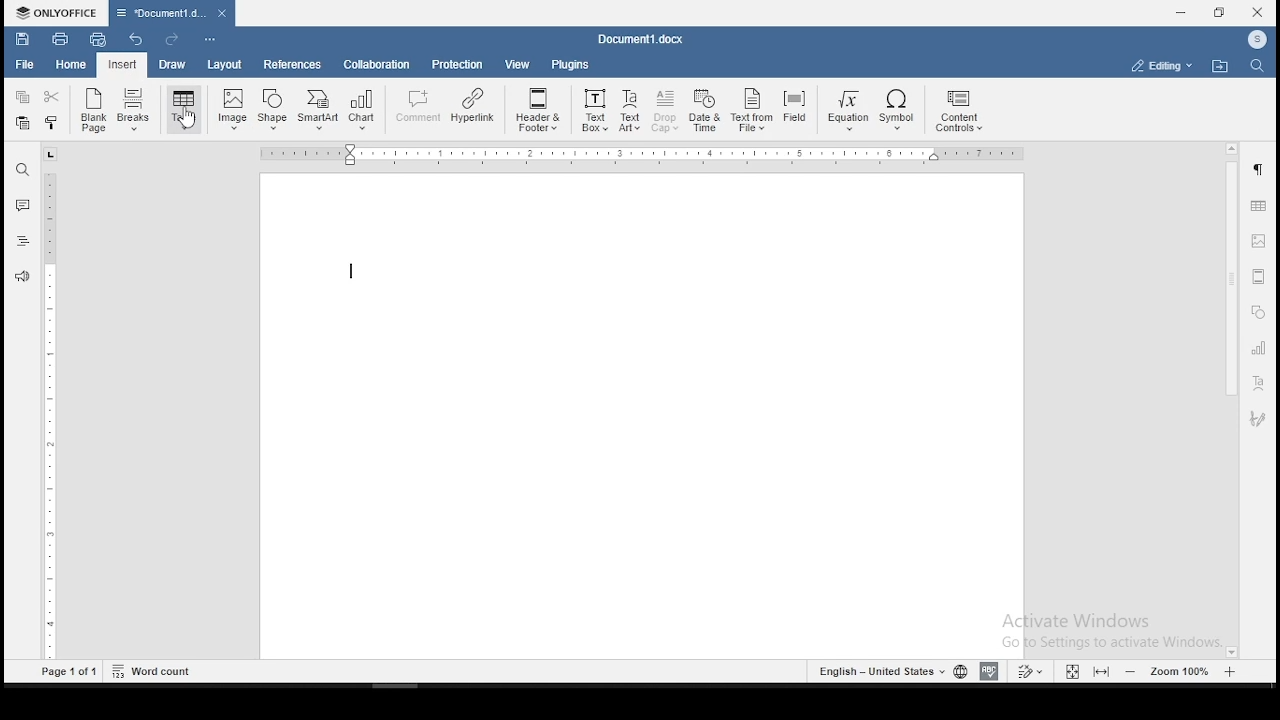 This screenshot has width=1280, height=720. I want to click on quick print, so click(98, 39).